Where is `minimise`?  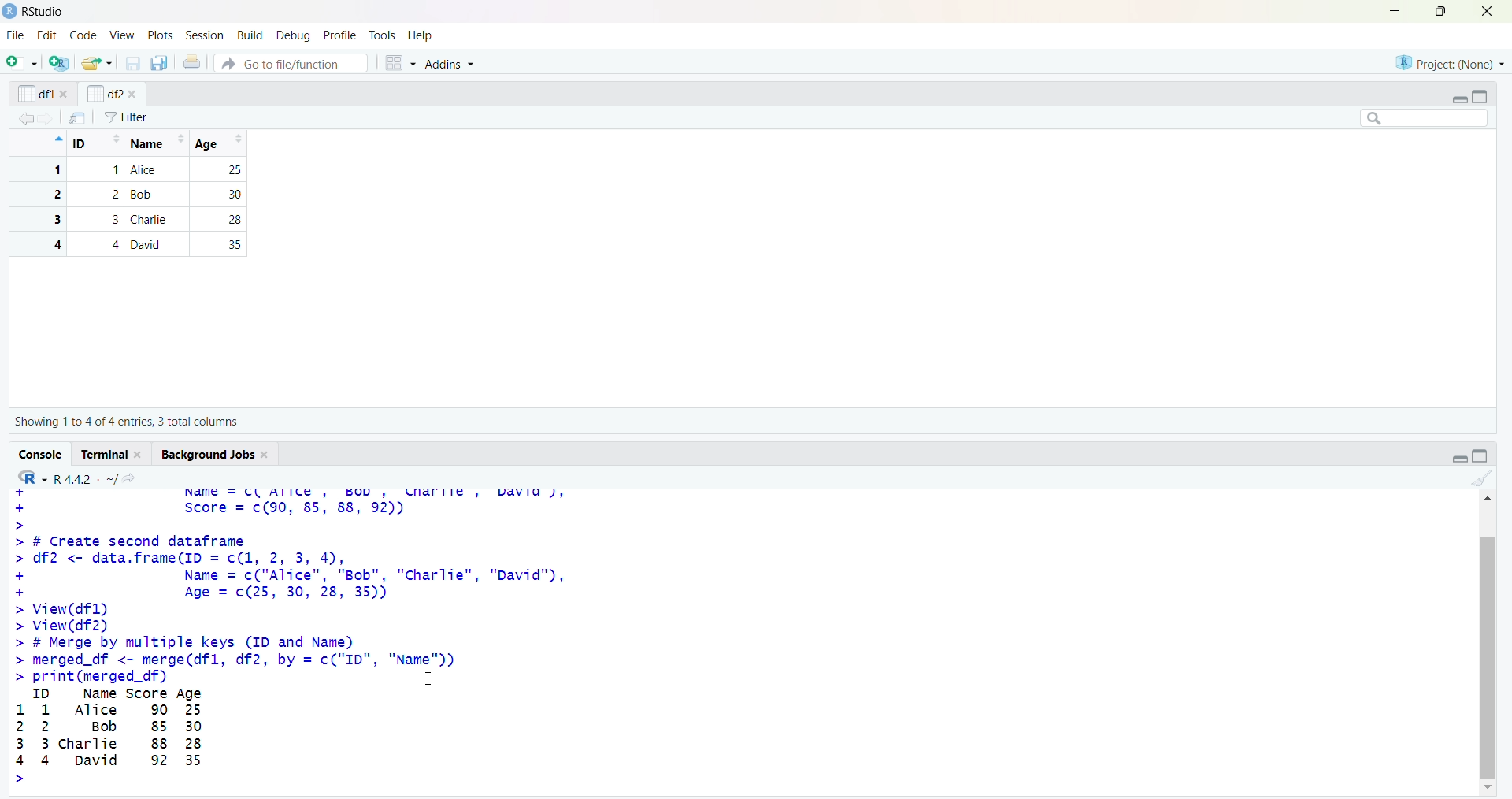 minimise is located at coordinates (1395, 10).